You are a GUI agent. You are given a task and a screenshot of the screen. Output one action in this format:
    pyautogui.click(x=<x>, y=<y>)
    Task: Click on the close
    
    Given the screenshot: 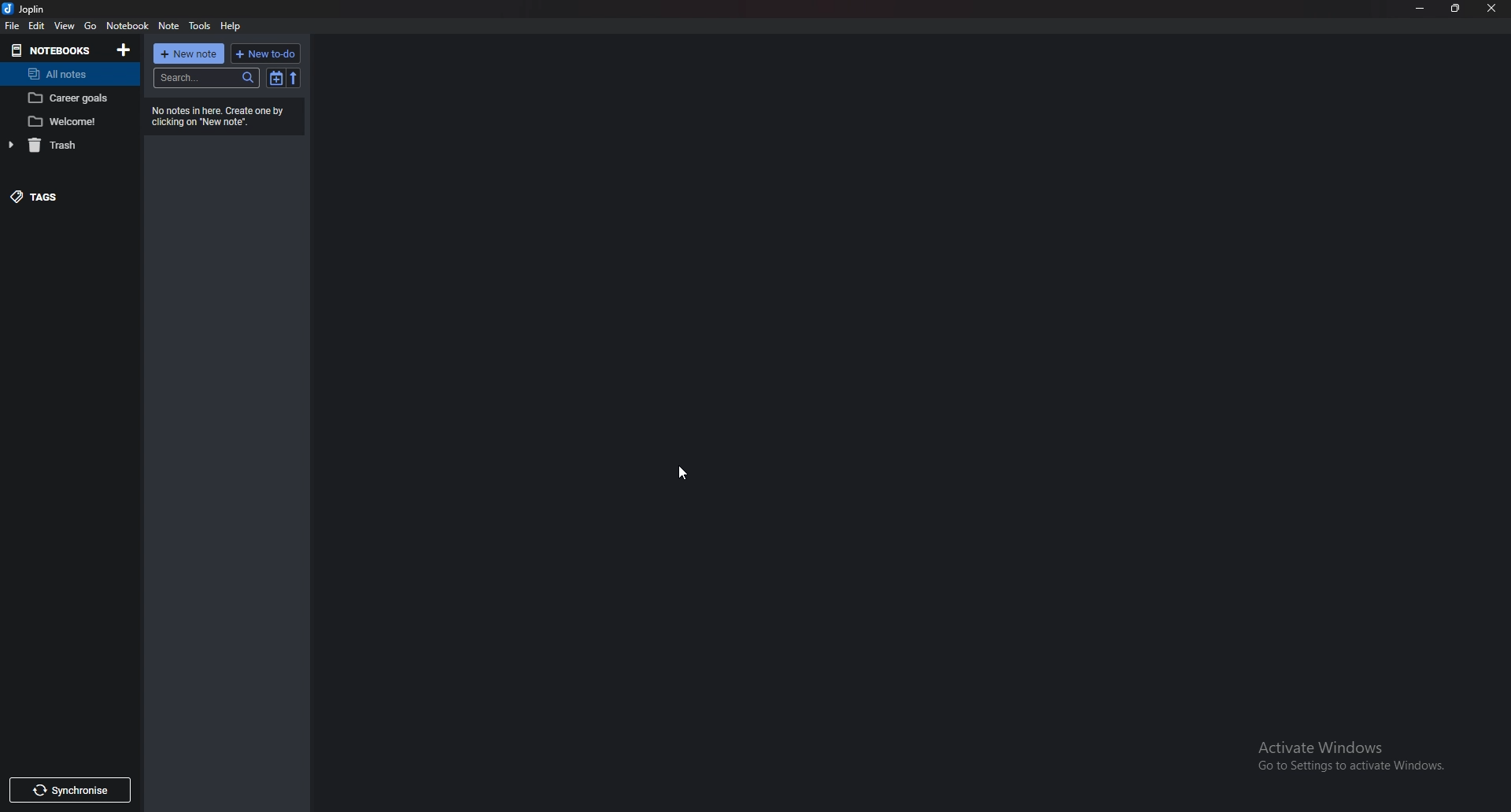 What is the action you would take?
    pyautogui.click(x=1490, y=8)
    